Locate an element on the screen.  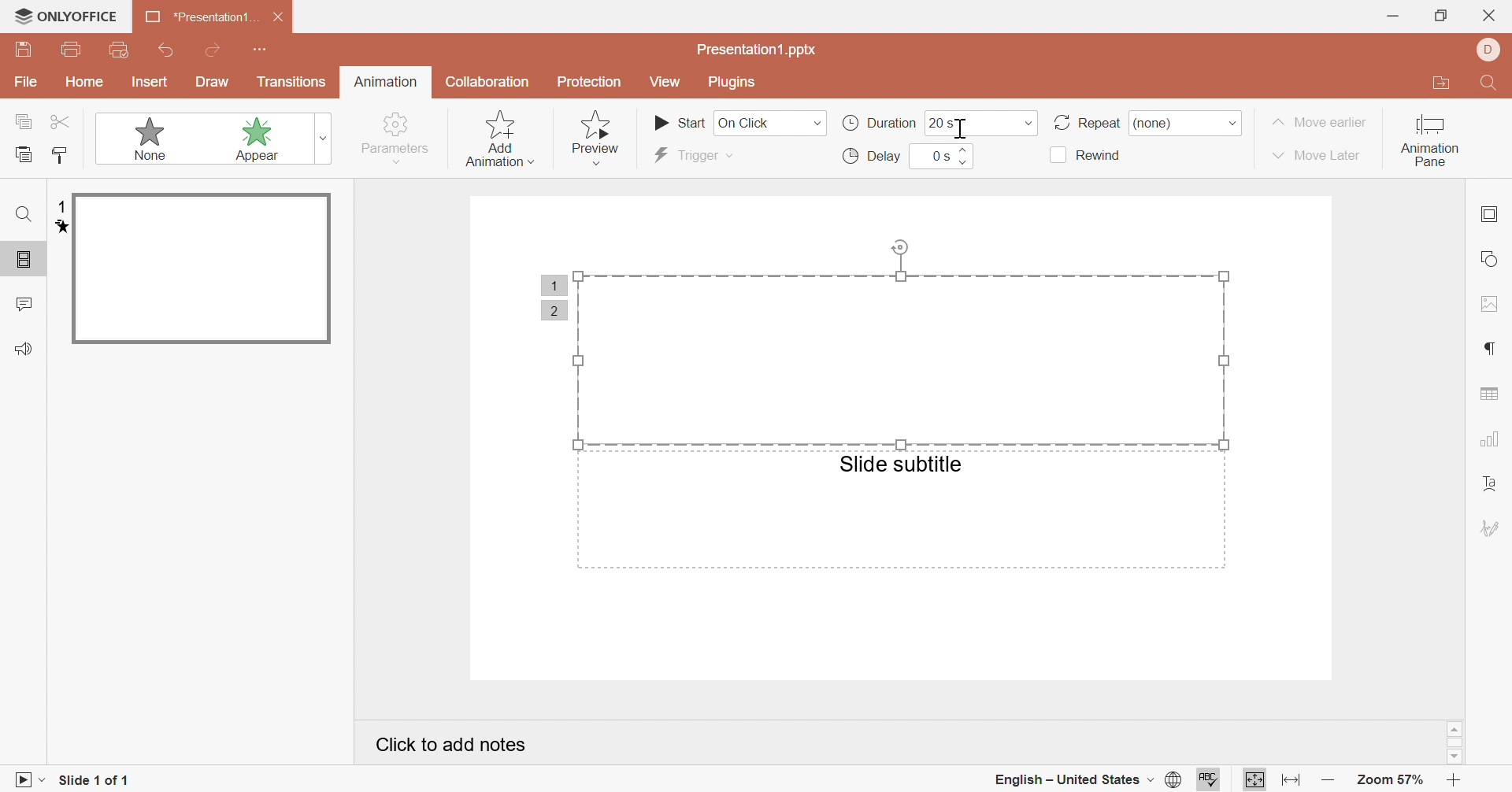
slide is located at coordinates (26, 261).